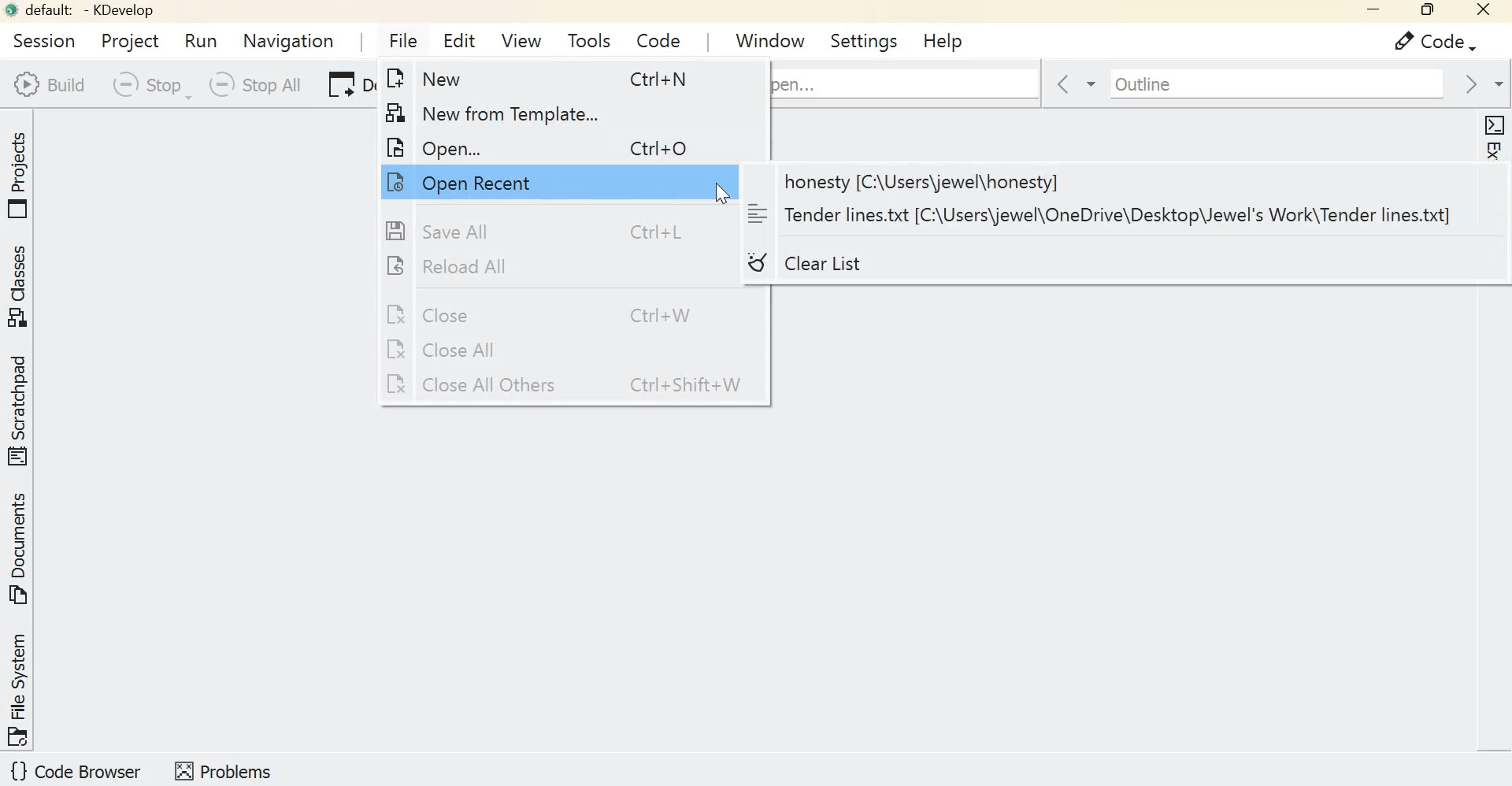 Image resolution: width=1512 pixels, height=786 pixels. Describe the element at coordinates (545, 111) in the screenshot. I see `New from template` at that location.